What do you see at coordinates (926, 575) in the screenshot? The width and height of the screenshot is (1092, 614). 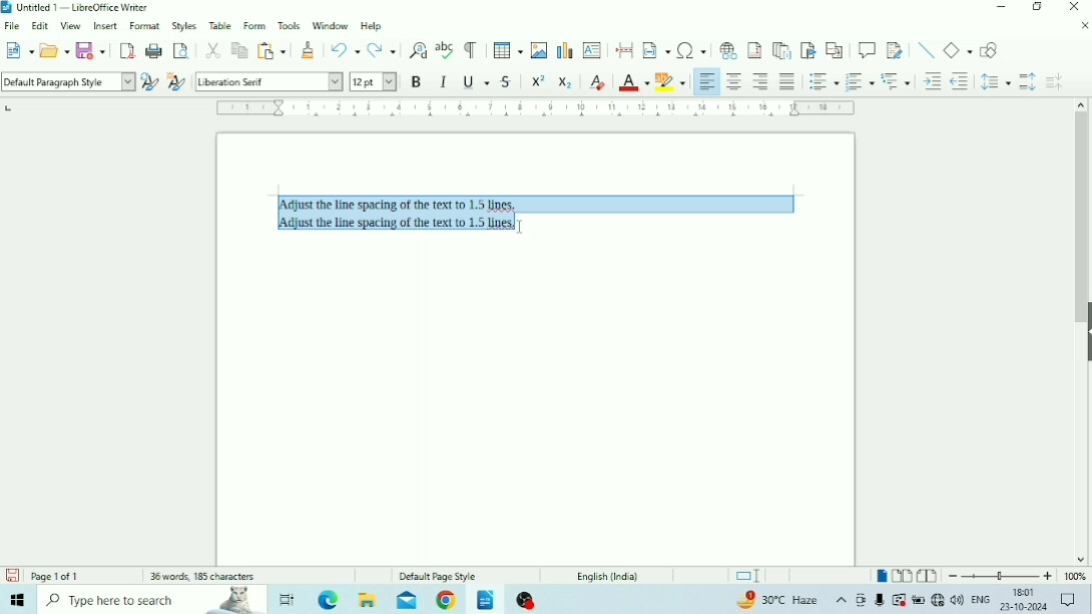 I see `Book view` at bounding box center [926, 575].